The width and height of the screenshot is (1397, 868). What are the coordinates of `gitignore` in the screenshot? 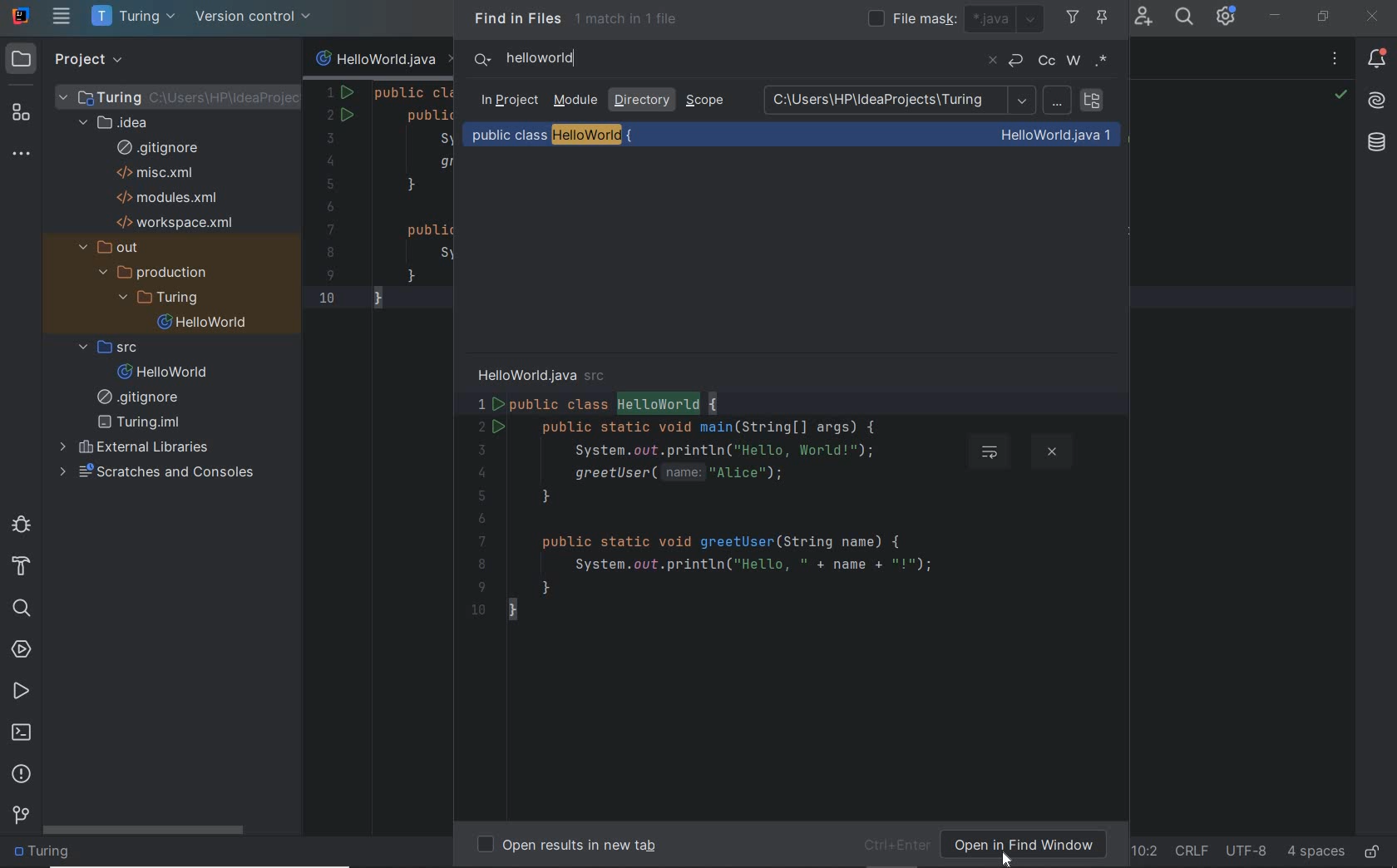 It's located at (163, 147).